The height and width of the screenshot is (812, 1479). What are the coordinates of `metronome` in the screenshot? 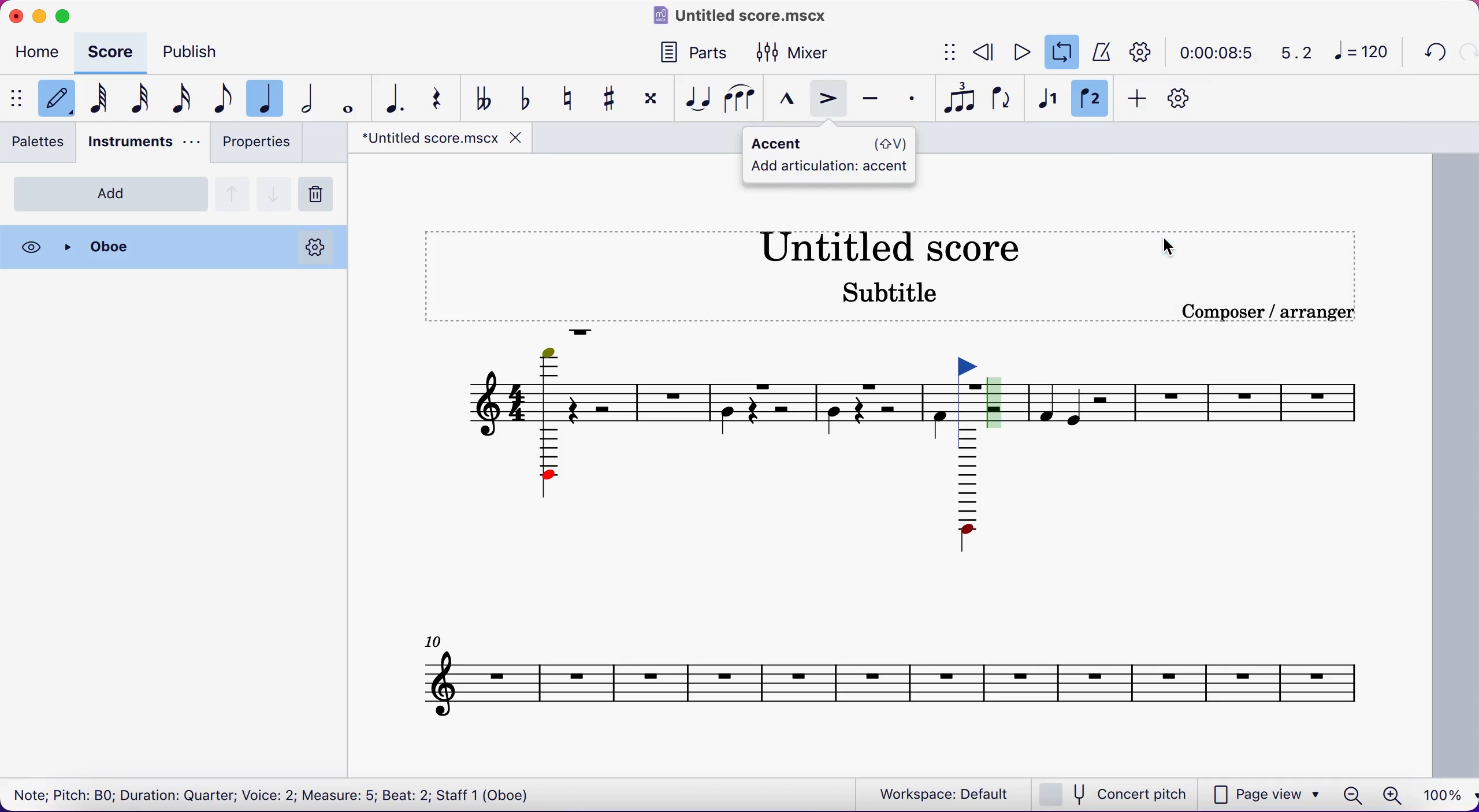 It's located at (1102, 51).